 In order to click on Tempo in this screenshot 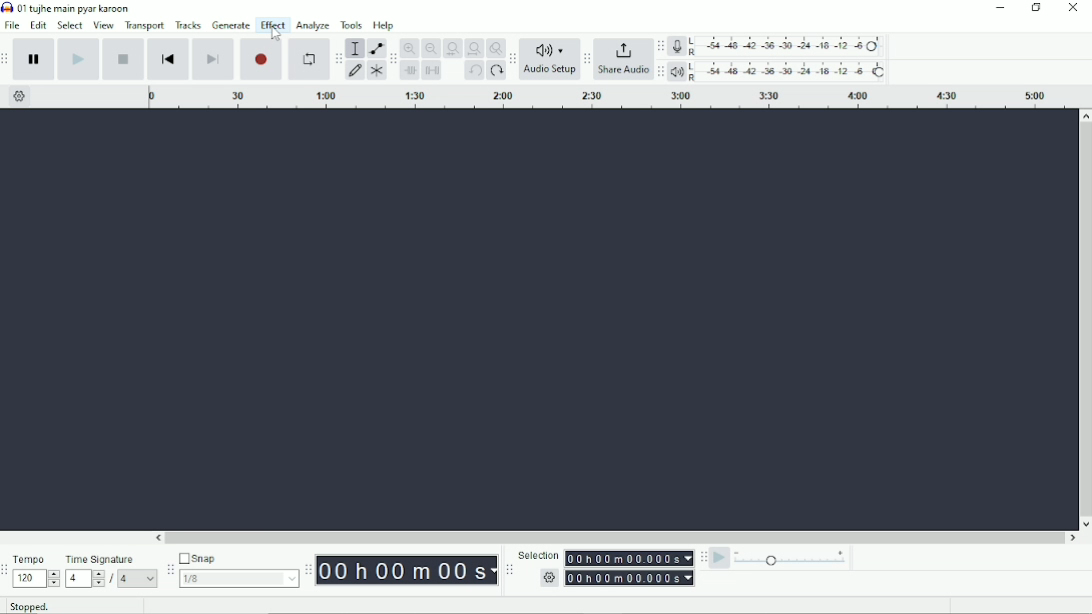, I will do `click(37, 573)`.